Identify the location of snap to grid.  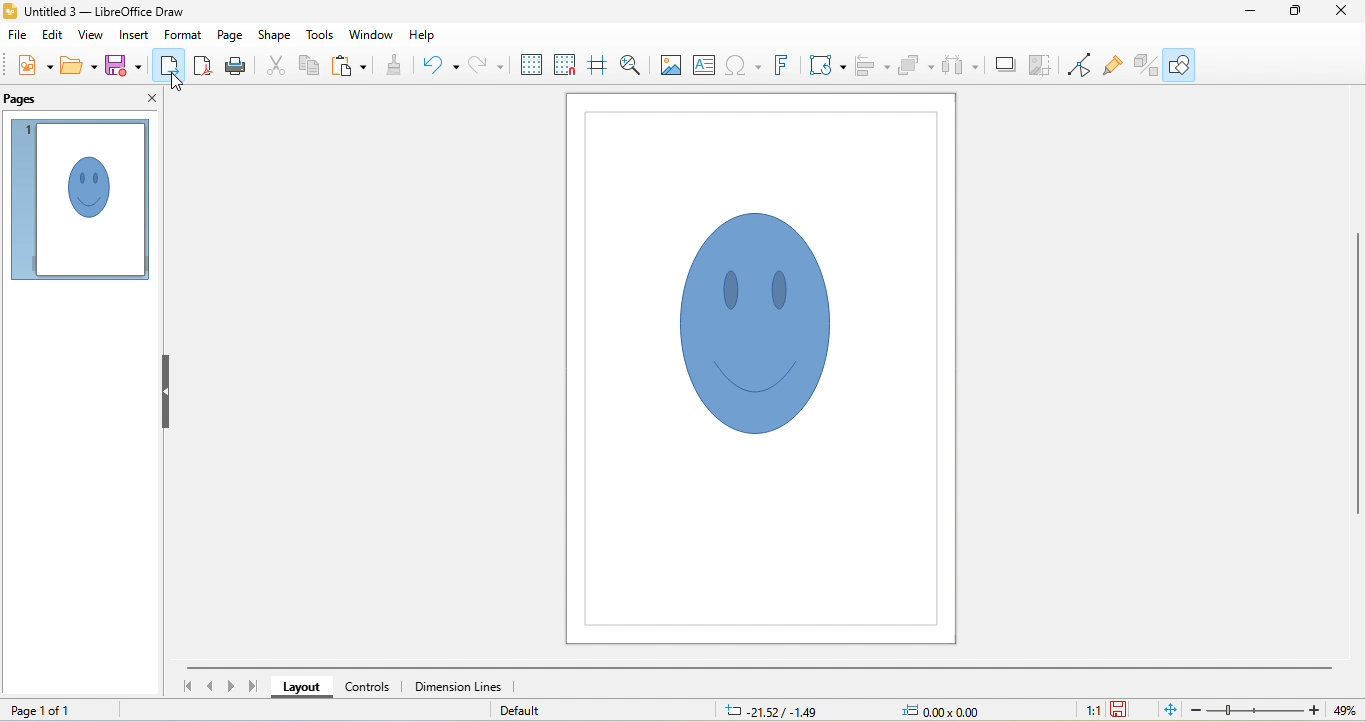
(563, 64).